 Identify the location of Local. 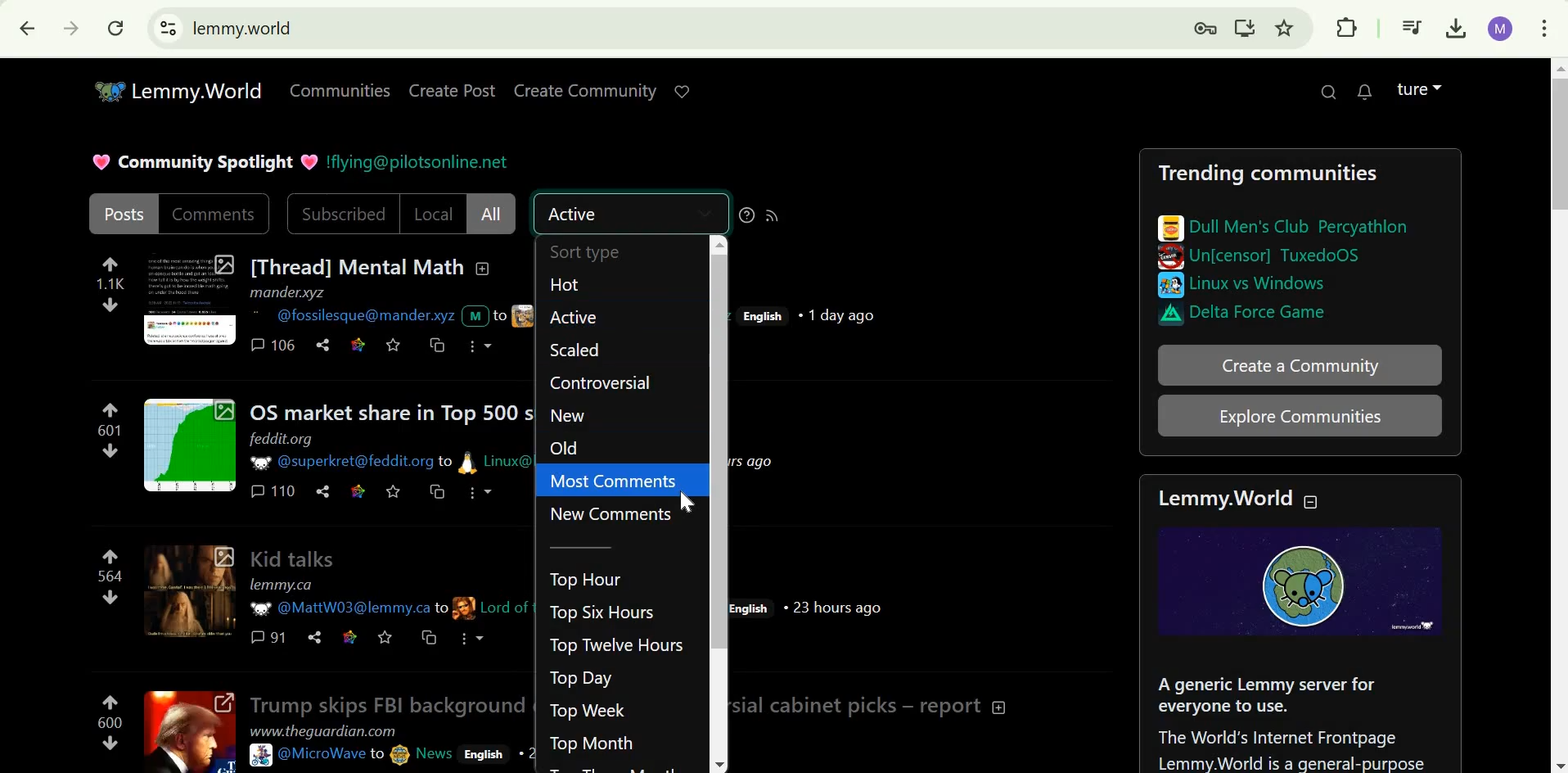
(431, 213).